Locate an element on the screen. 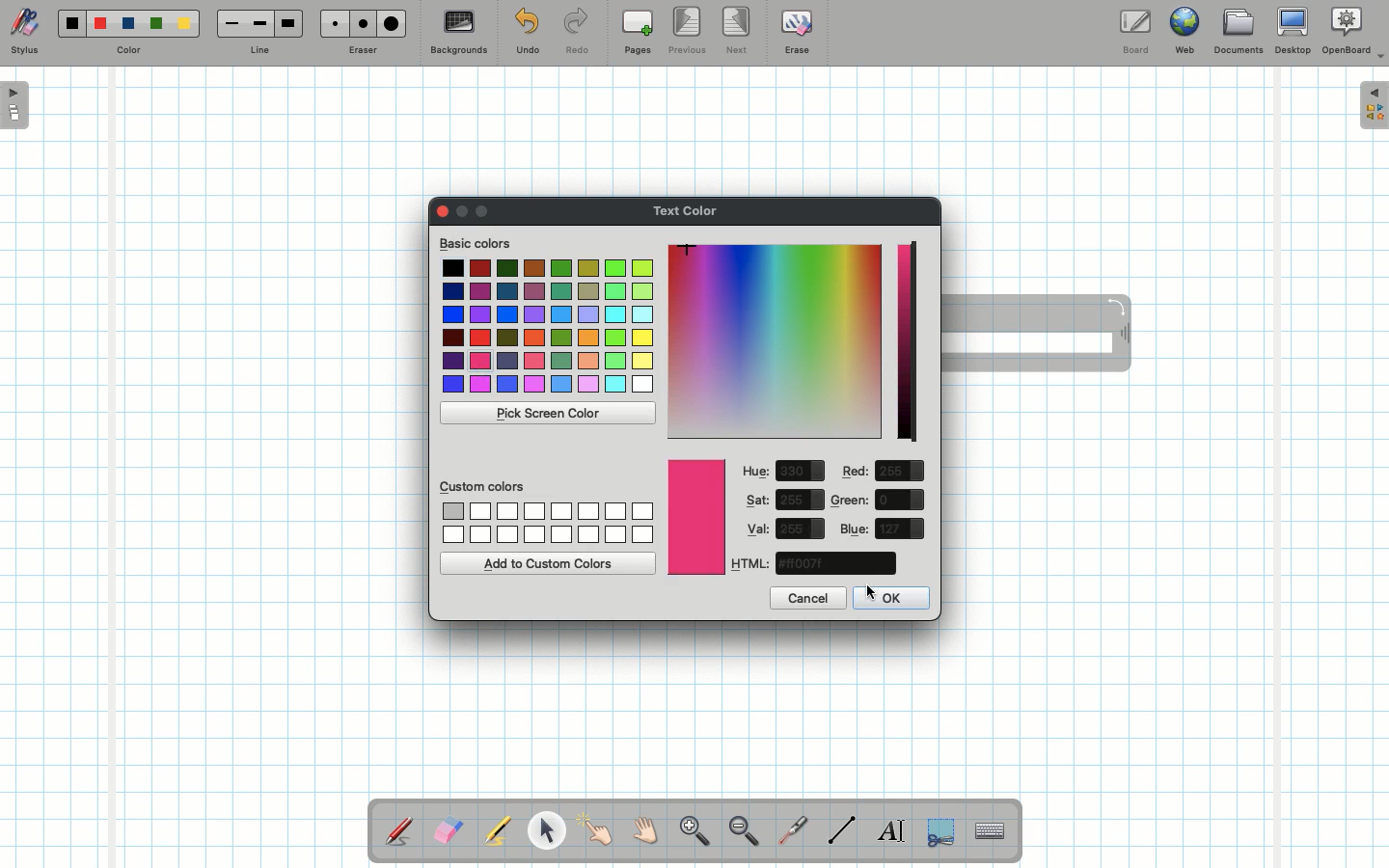  Custom colors is located at coordinates (547, 523).